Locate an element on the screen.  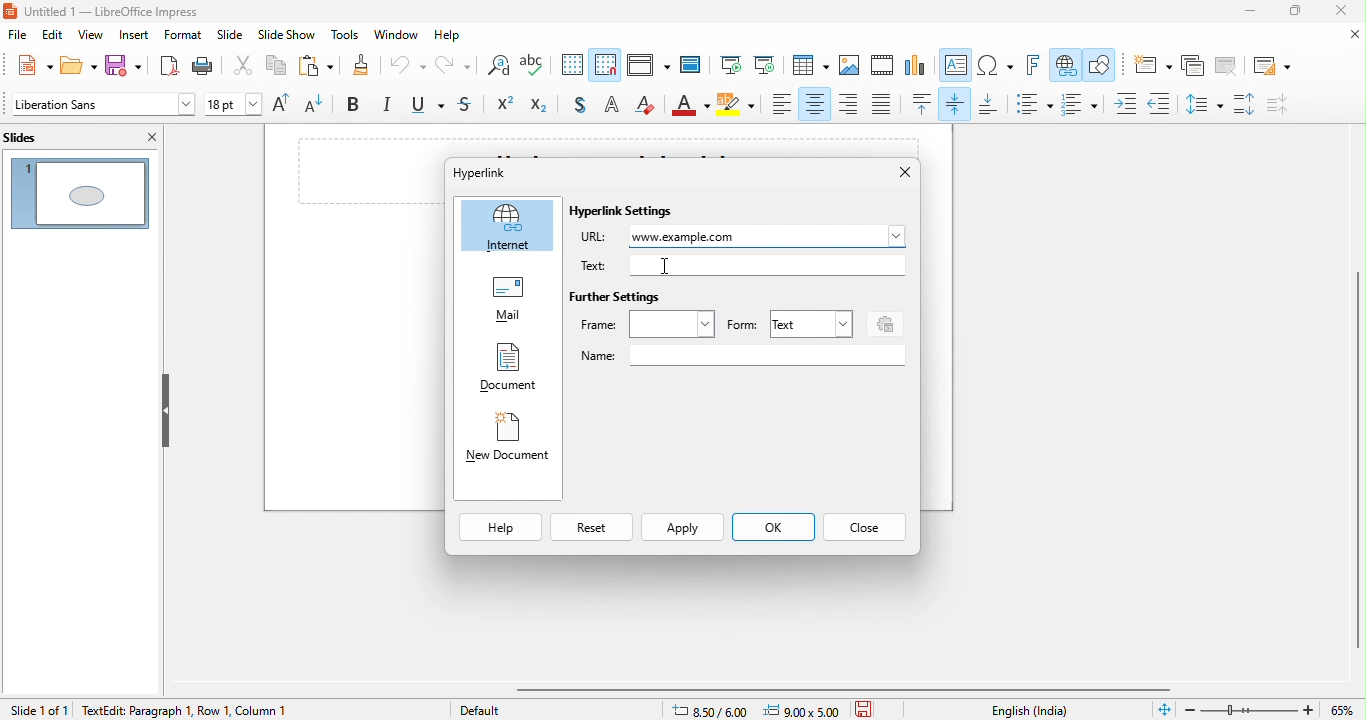
new is located at coordinates (28, 65).